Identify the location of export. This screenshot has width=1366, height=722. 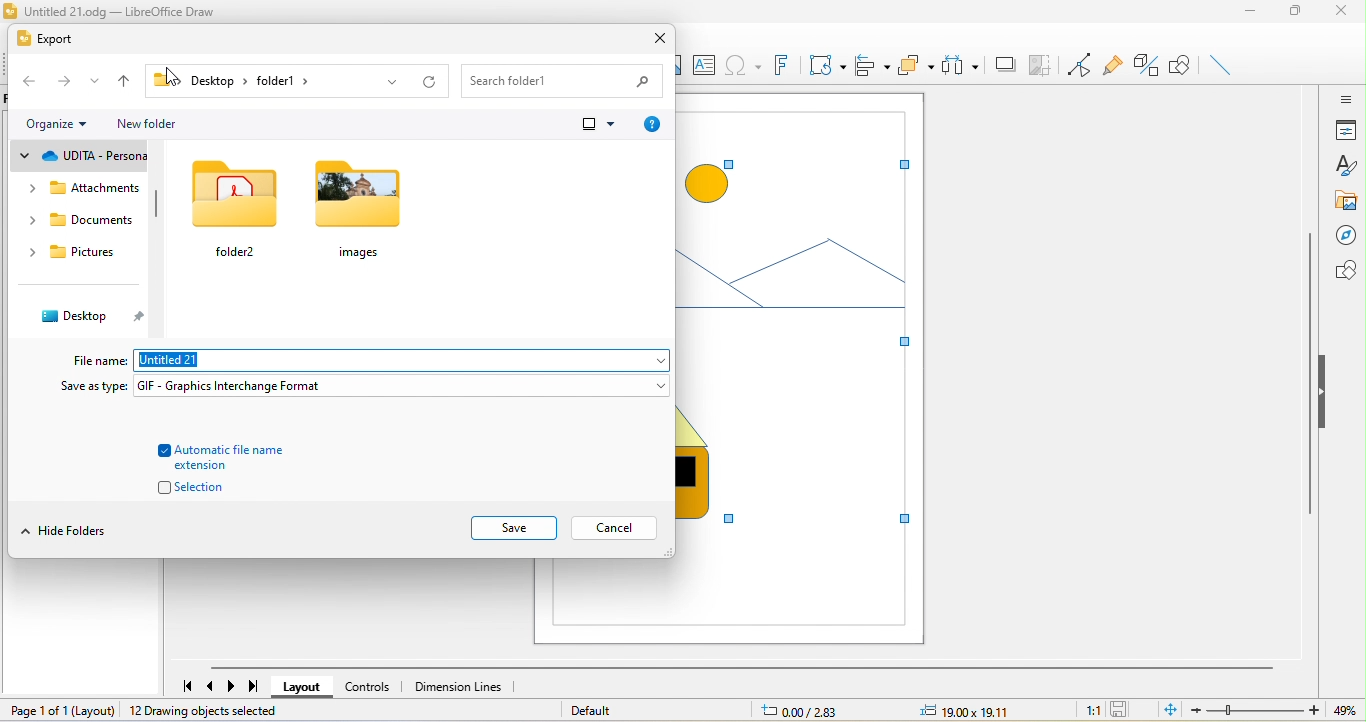
(45, 39).